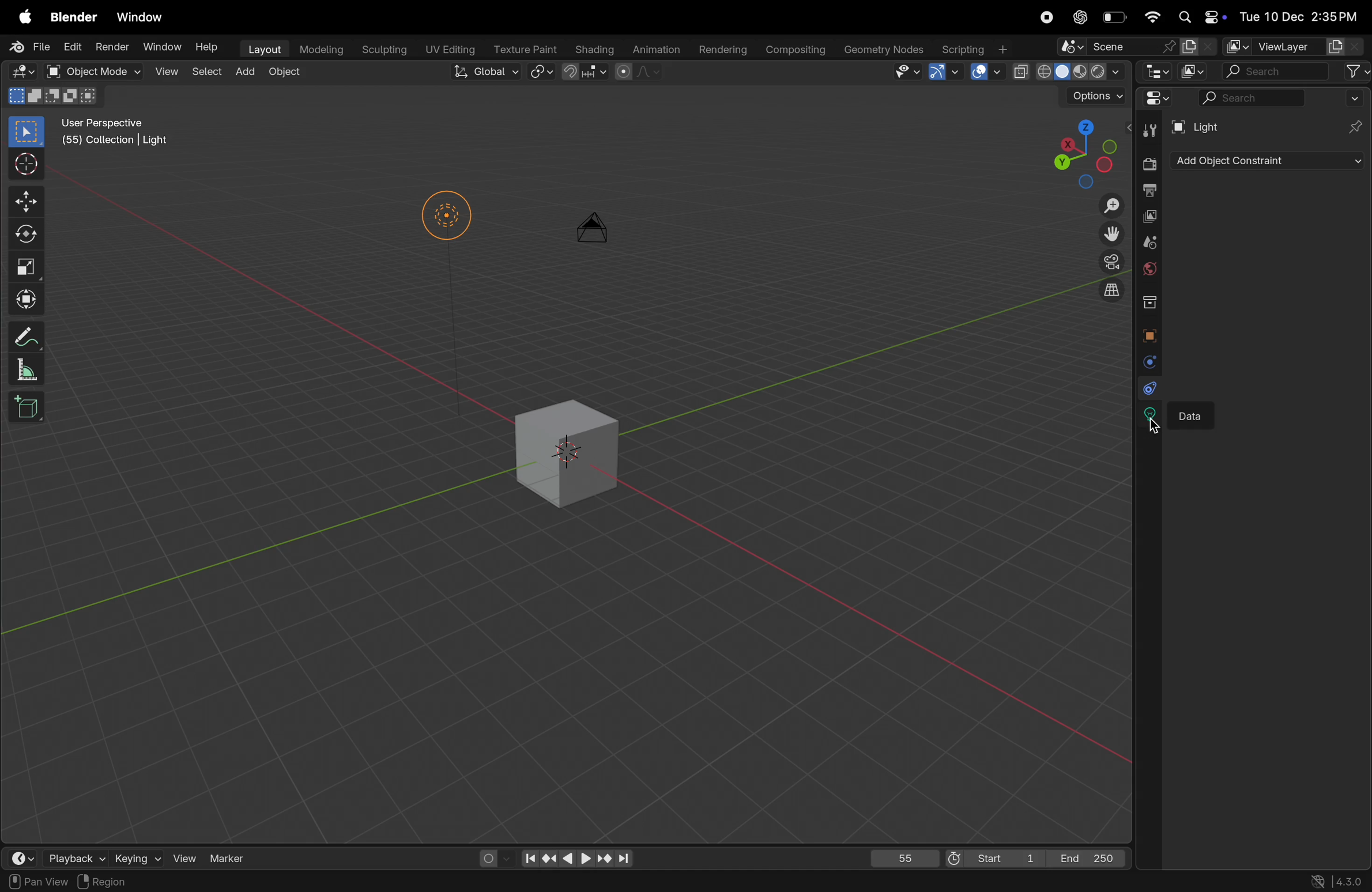 Image resolution: width=1372 pixels, height=892 pixels. I want to click on Data, so click(1197, 414).